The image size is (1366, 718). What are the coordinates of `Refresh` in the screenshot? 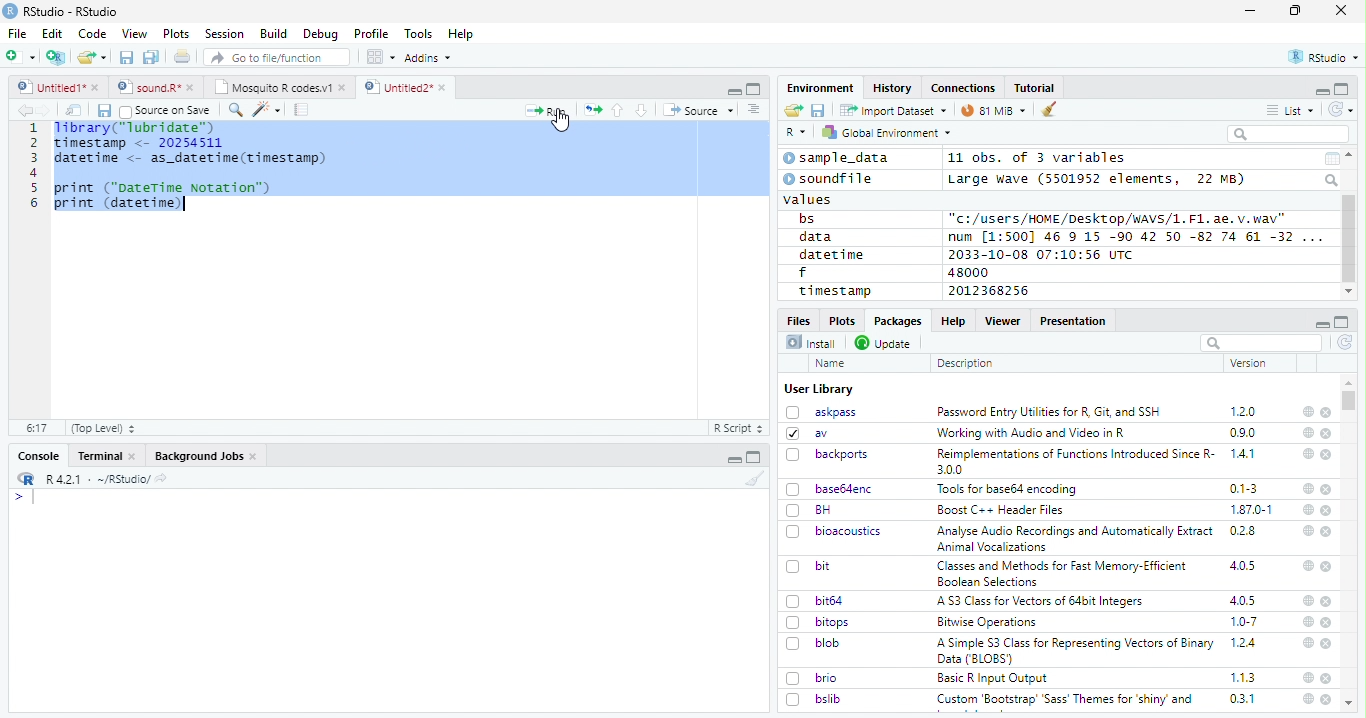 It's located at (1342, 109).